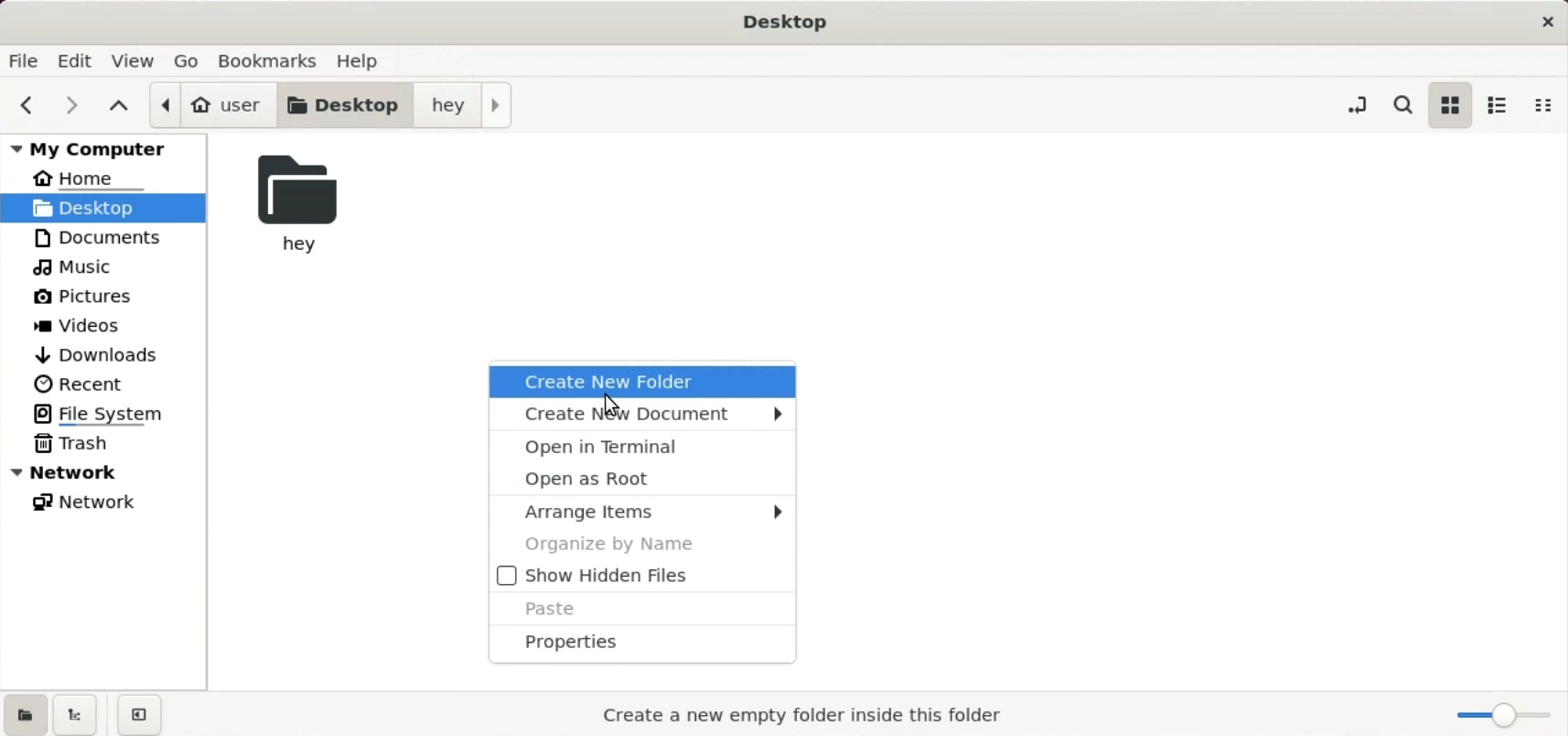  Describe the element at coordinates (1541, 104) in the screenshot. I see `compact view` at that location.